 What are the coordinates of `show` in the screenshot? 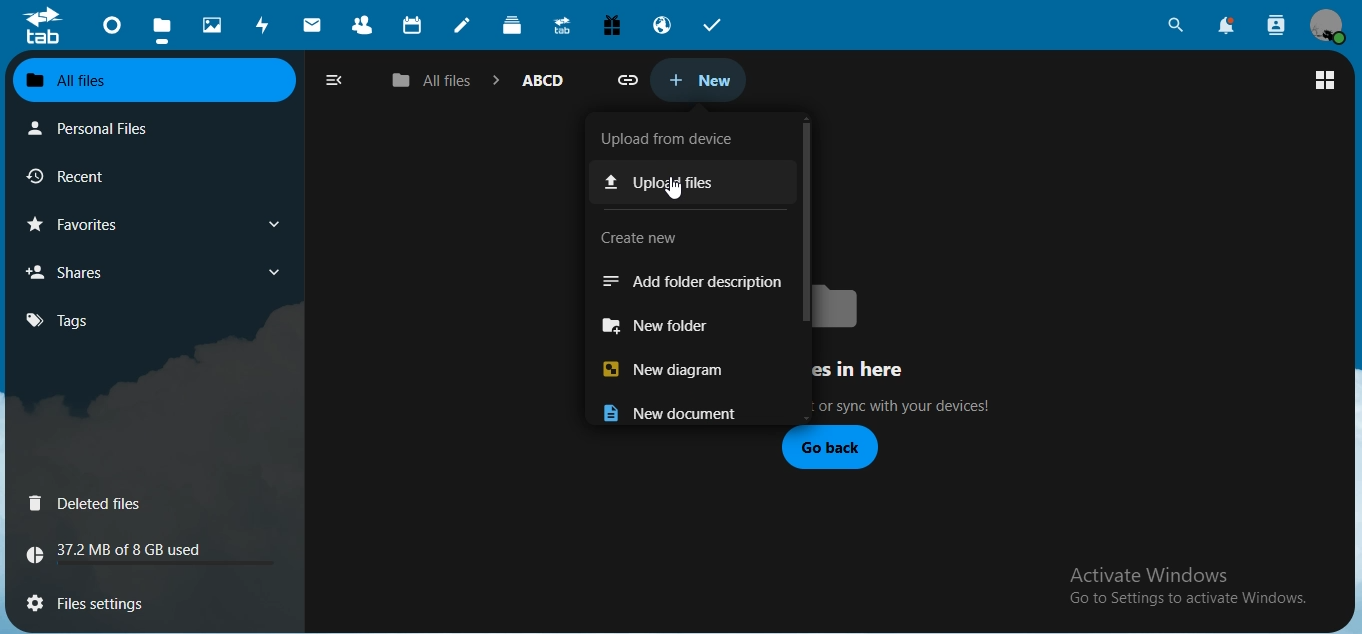 It's located at (275, 222).